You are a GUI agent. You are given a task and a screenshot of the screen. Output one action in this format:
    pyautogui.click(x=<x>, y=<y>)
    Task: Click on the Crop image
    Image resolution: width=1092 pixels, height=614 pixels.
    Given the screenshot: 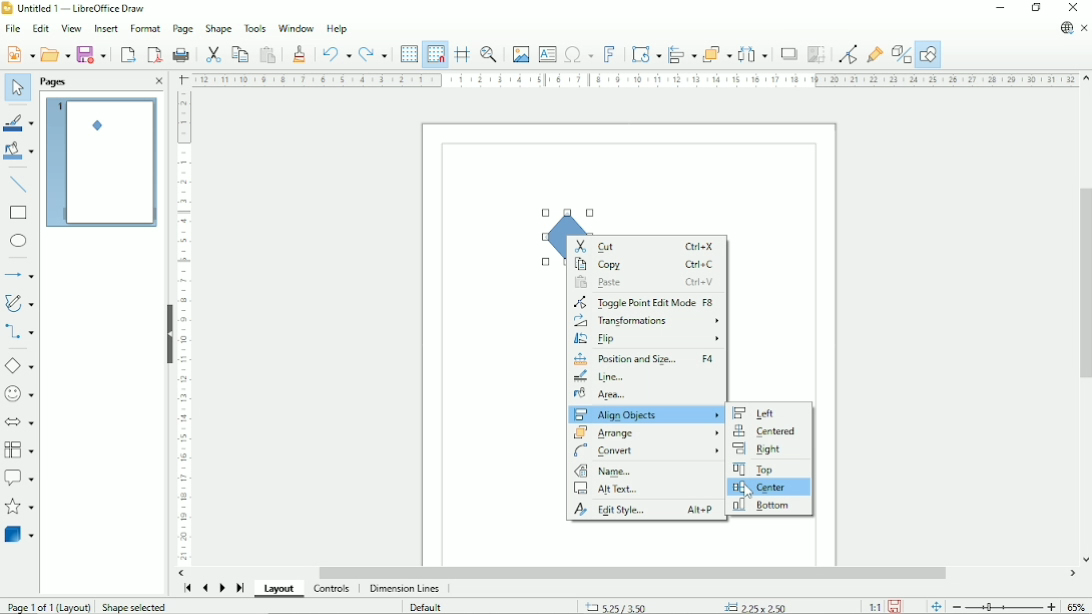 What is the action you would take?
    pyautogui.click(x=817, y=54)
    